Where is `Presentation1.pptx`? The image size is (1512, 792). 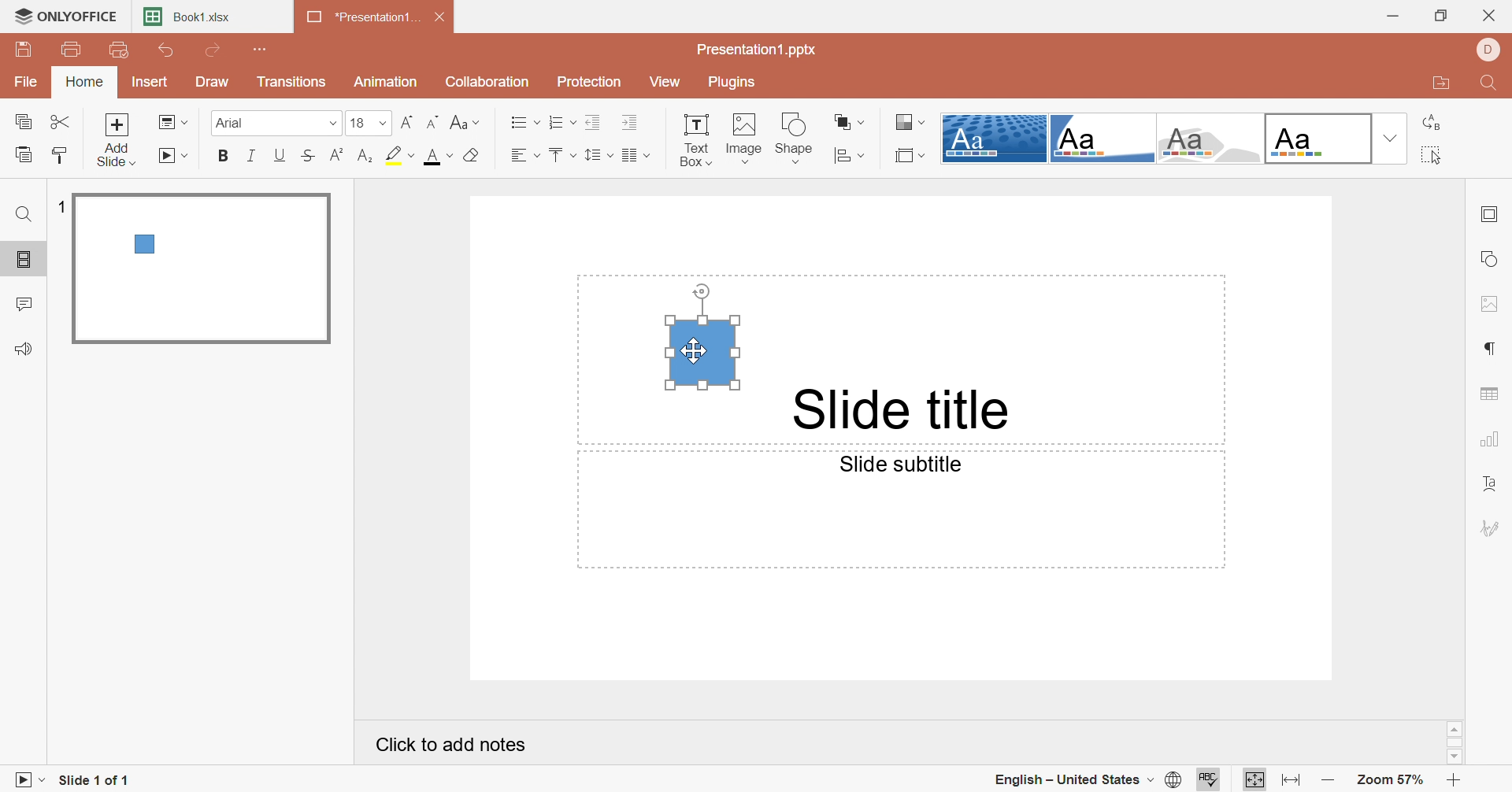 Presentation1.pptx is located at coordinates (758, 51).